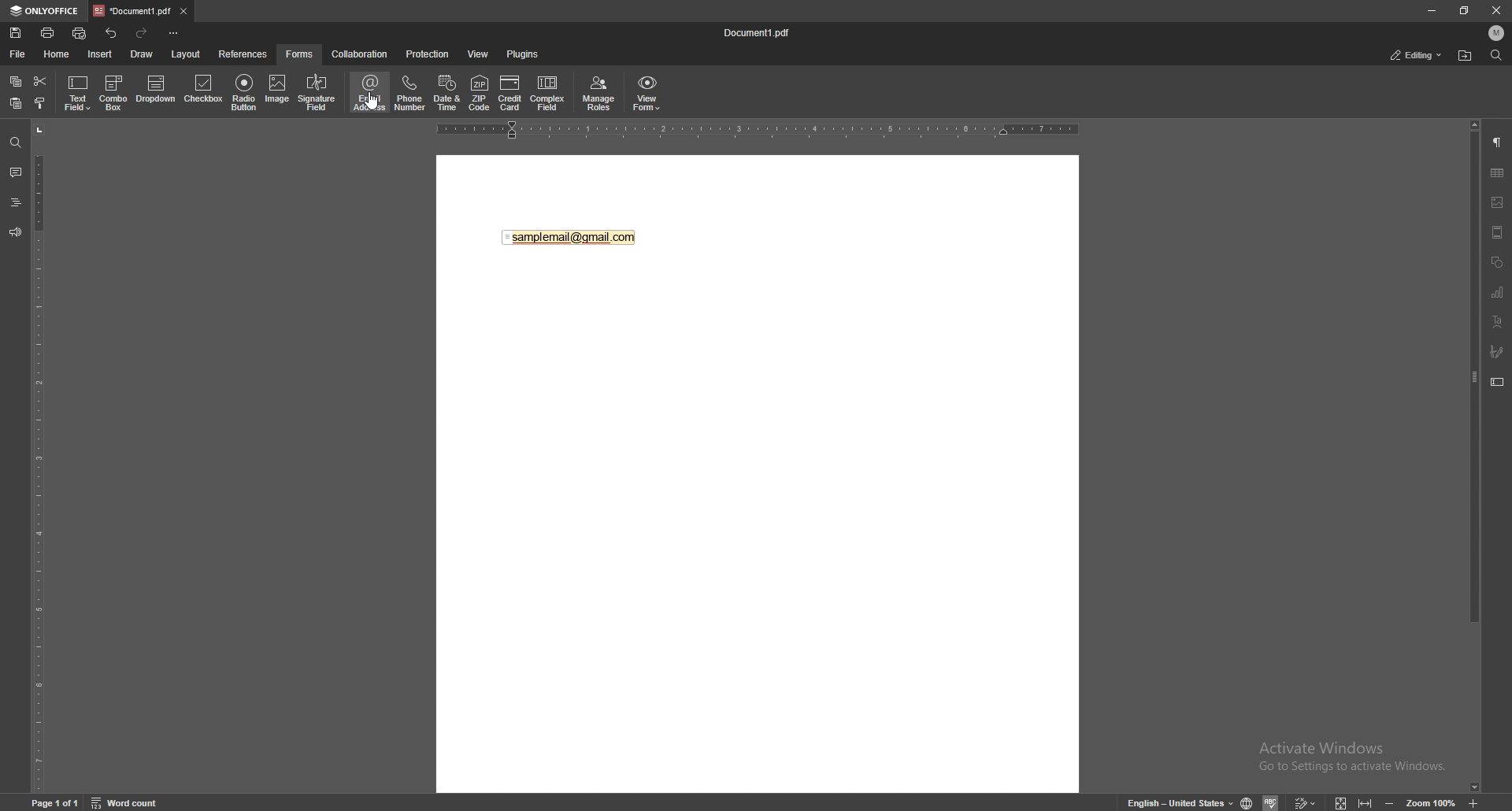 The height and width of the screenshot is (811, 1512). What do you see at coordinates (15, 202) in the screenshot?
I see `heading` at bounding box center [15, 202].